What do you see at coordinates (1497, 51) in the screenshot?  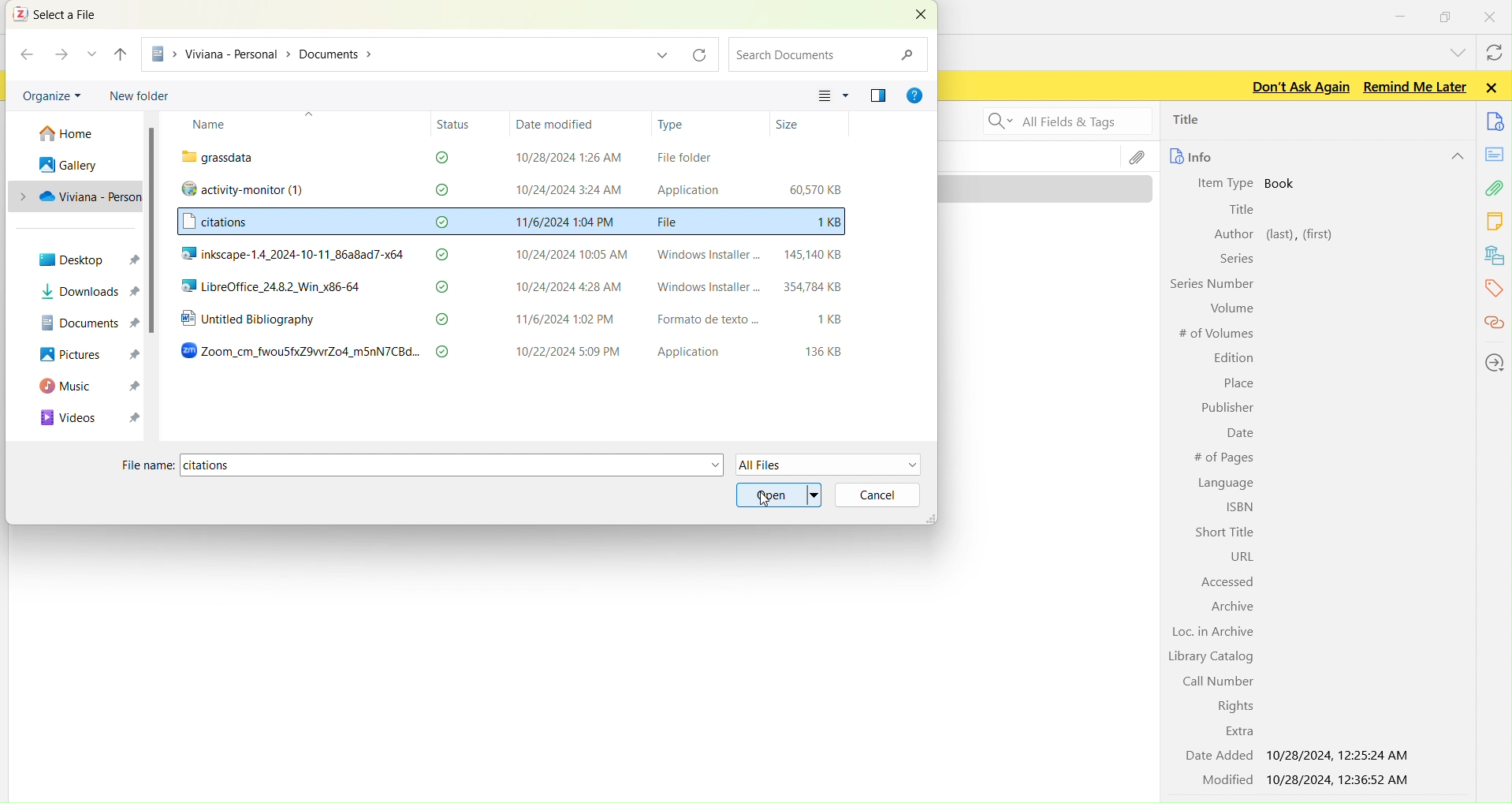 I see `syncwith zotero` at bounding box center [1497, 51].